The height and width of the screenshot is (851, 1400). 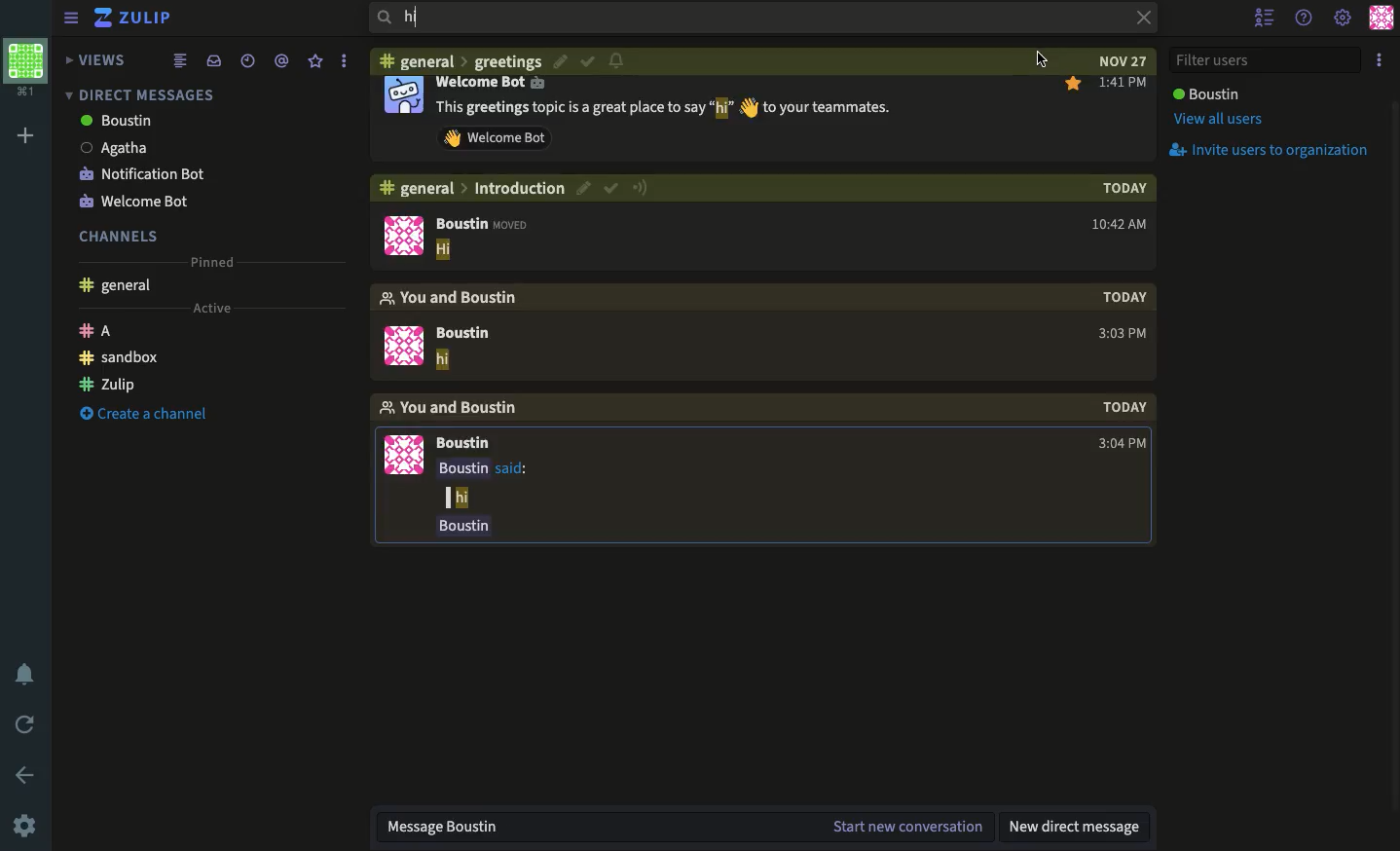 What do you see at coordinates (121, 236) in the screenshot?
I see `Channels` at bounding box center [121, 236].